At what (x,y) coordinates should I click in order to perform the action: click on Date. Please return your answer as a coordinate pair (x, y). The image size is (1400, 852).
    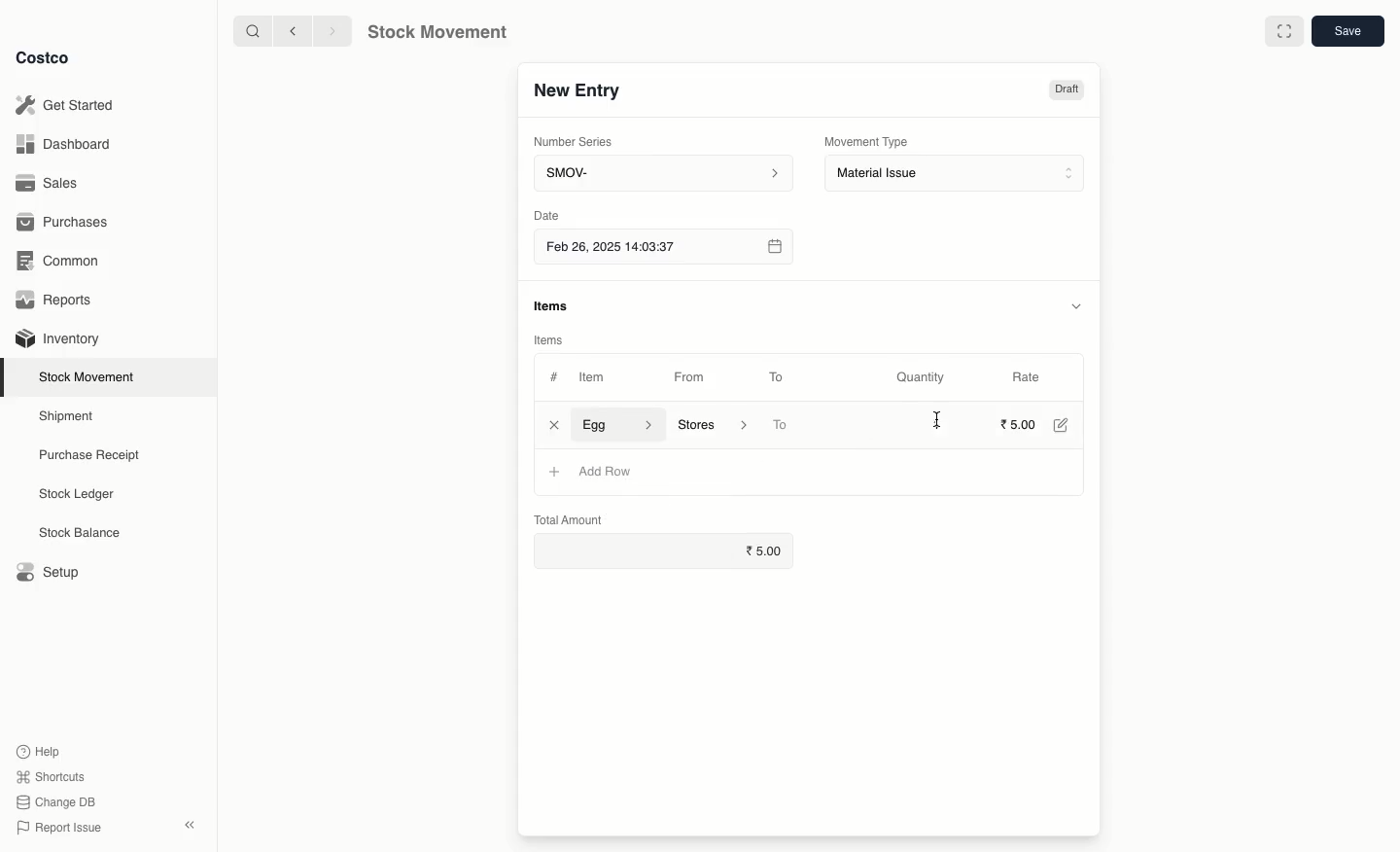
    Looking at the image, I should click on (545, 215).